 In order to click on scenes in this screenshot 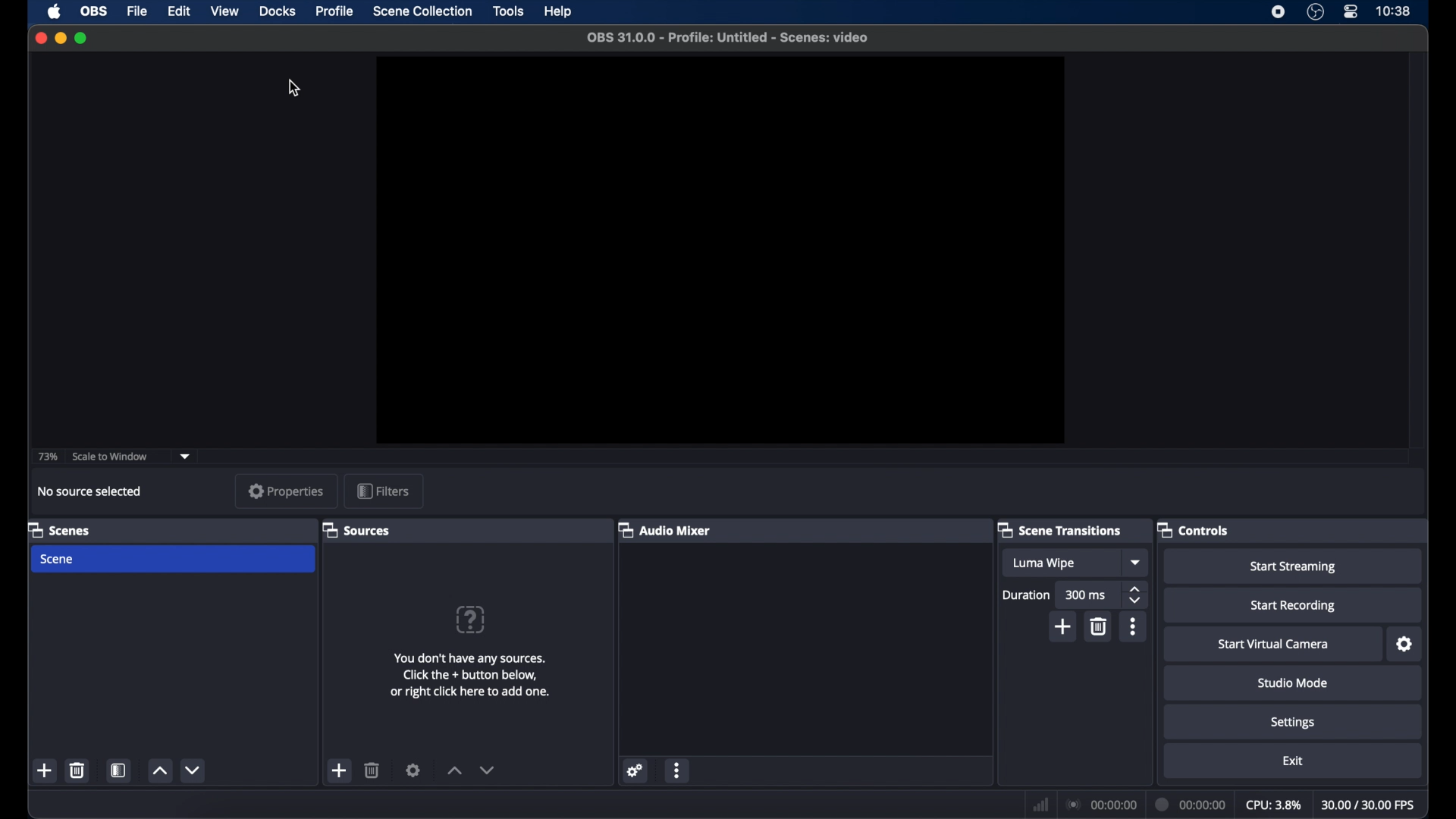, I will do `click(59, 531)`.